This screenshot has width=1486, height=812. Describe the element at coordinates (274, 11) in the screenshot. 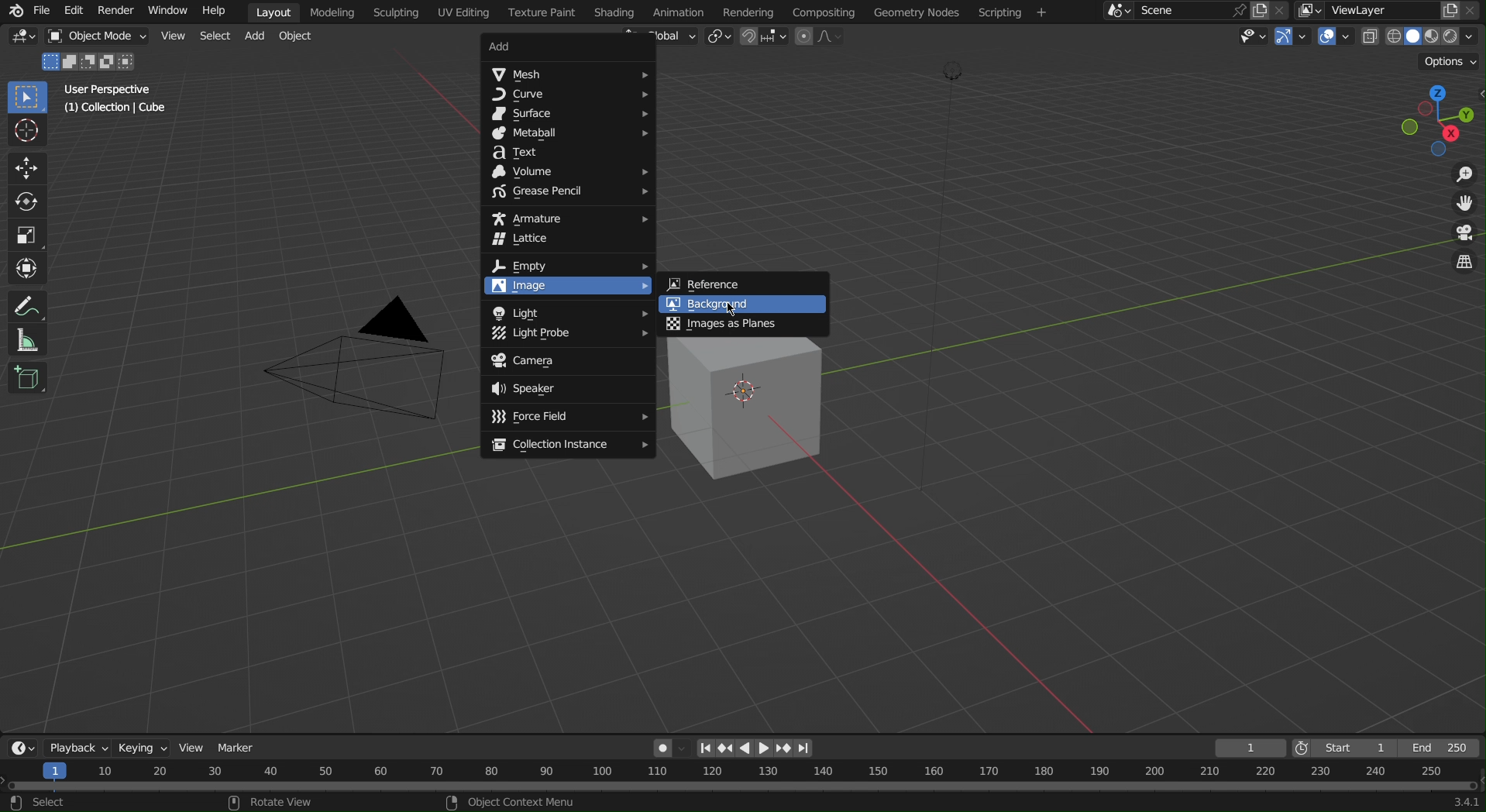

I see `Layout` at that location.